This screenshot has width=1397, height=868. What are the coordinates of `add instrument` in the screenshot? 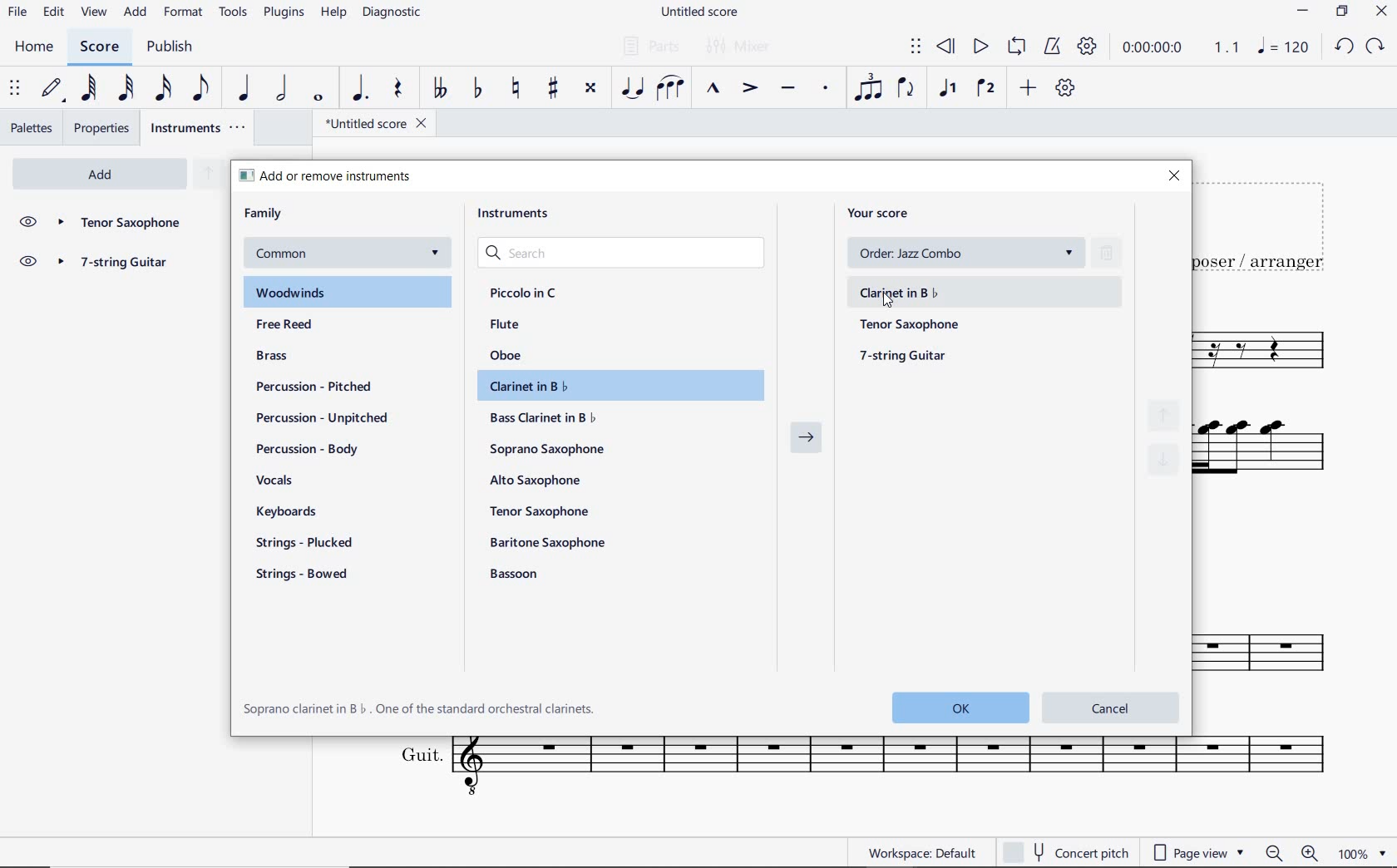 It's located at (100, 175).